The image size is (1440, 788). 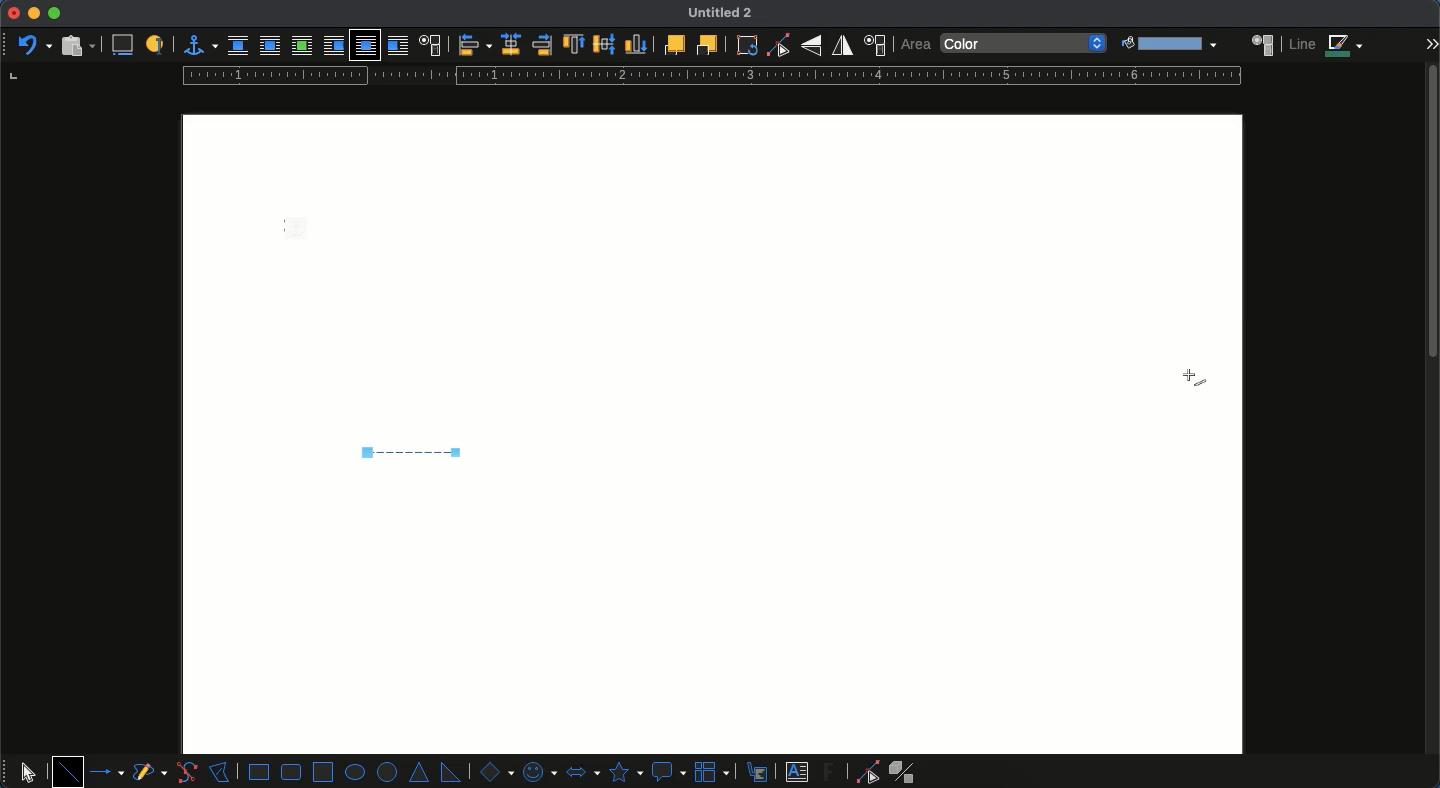 What do you see at coordinates (34, 13) in the screenshot?
I see `minimize` at bounding box center [34, 13].